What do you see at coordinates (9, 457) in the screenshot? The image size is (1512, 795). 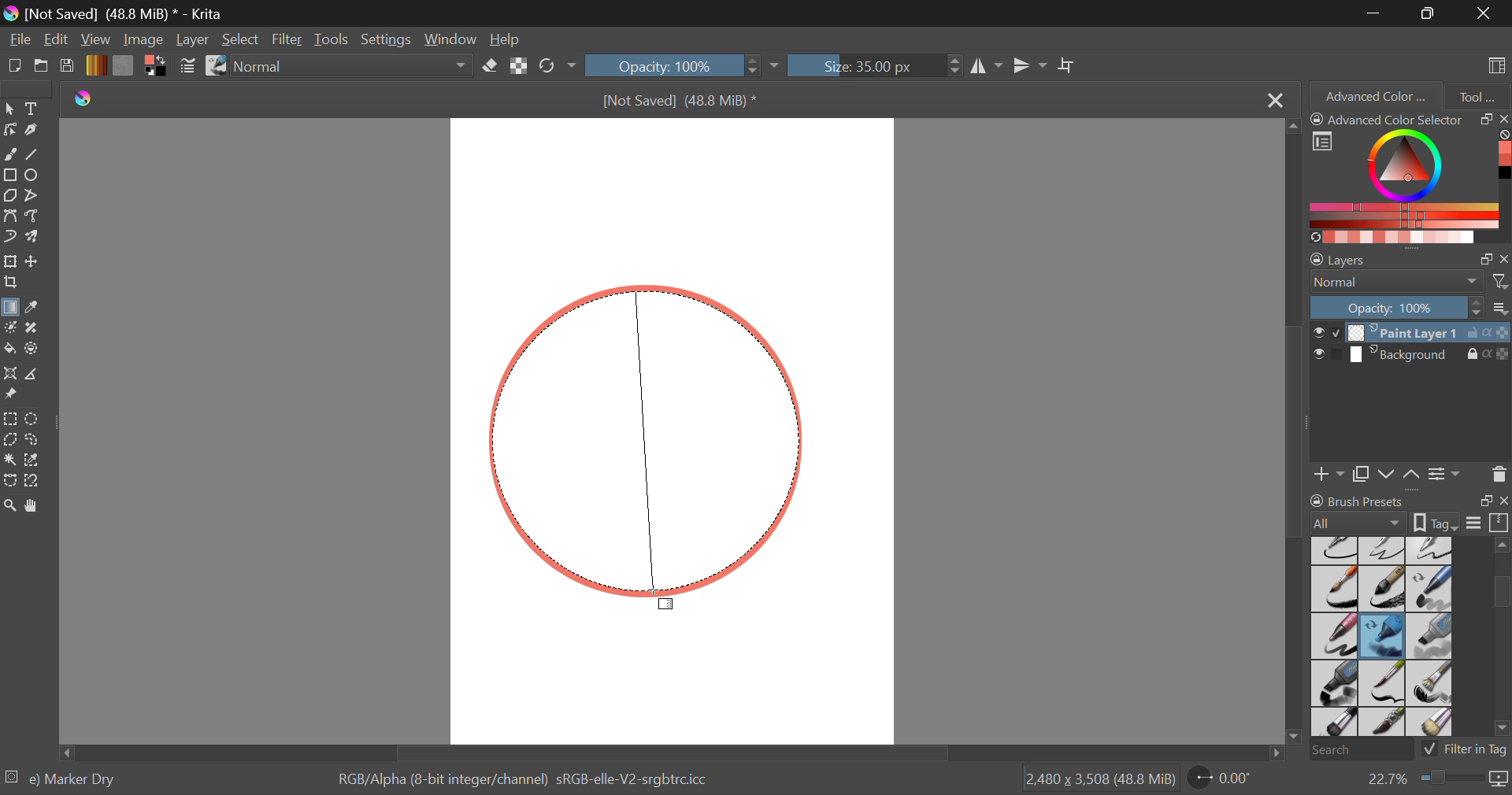 I see `Tool` at bounding box center [9, 457].